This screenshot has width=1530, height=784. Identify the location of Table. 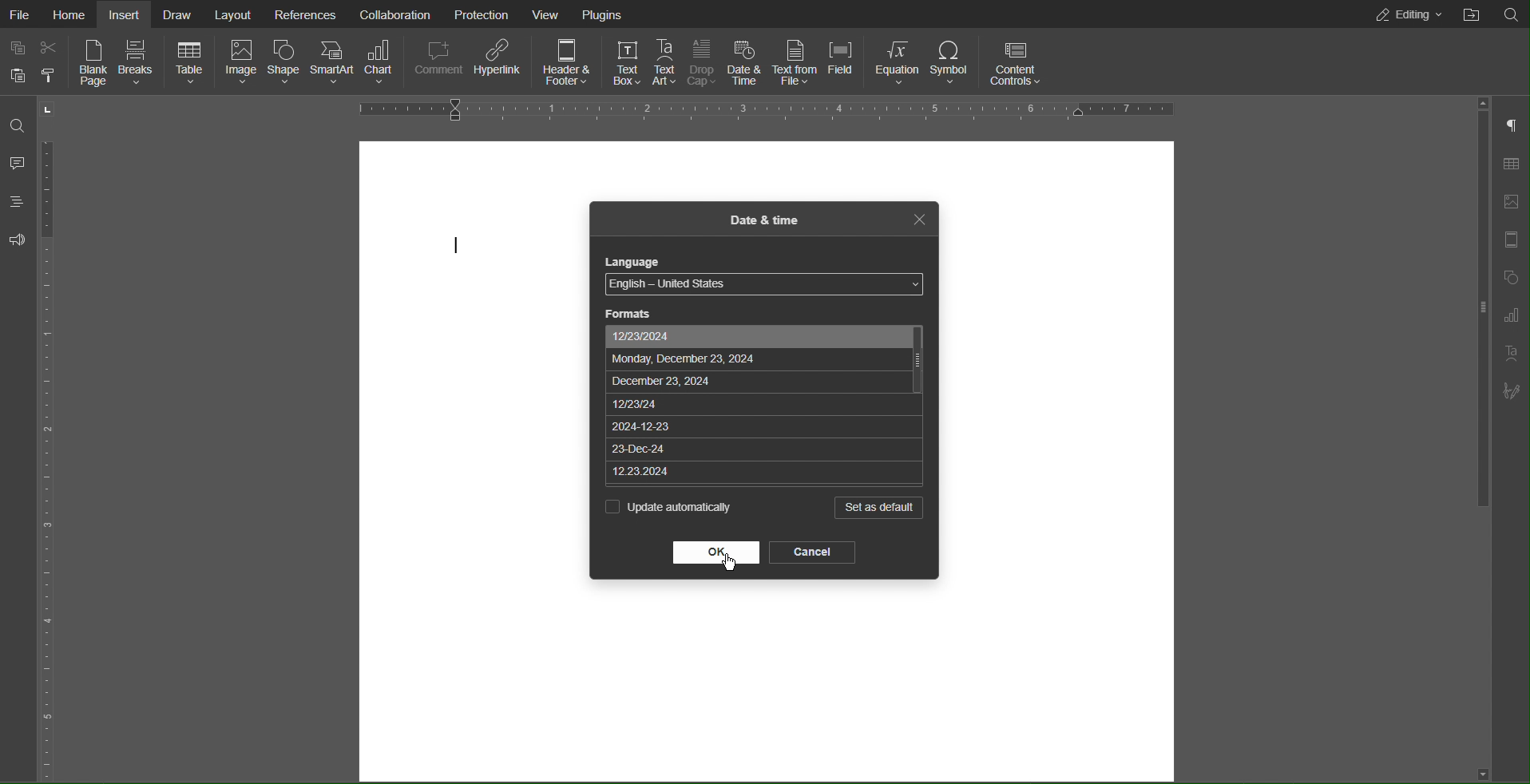
(192, 64).